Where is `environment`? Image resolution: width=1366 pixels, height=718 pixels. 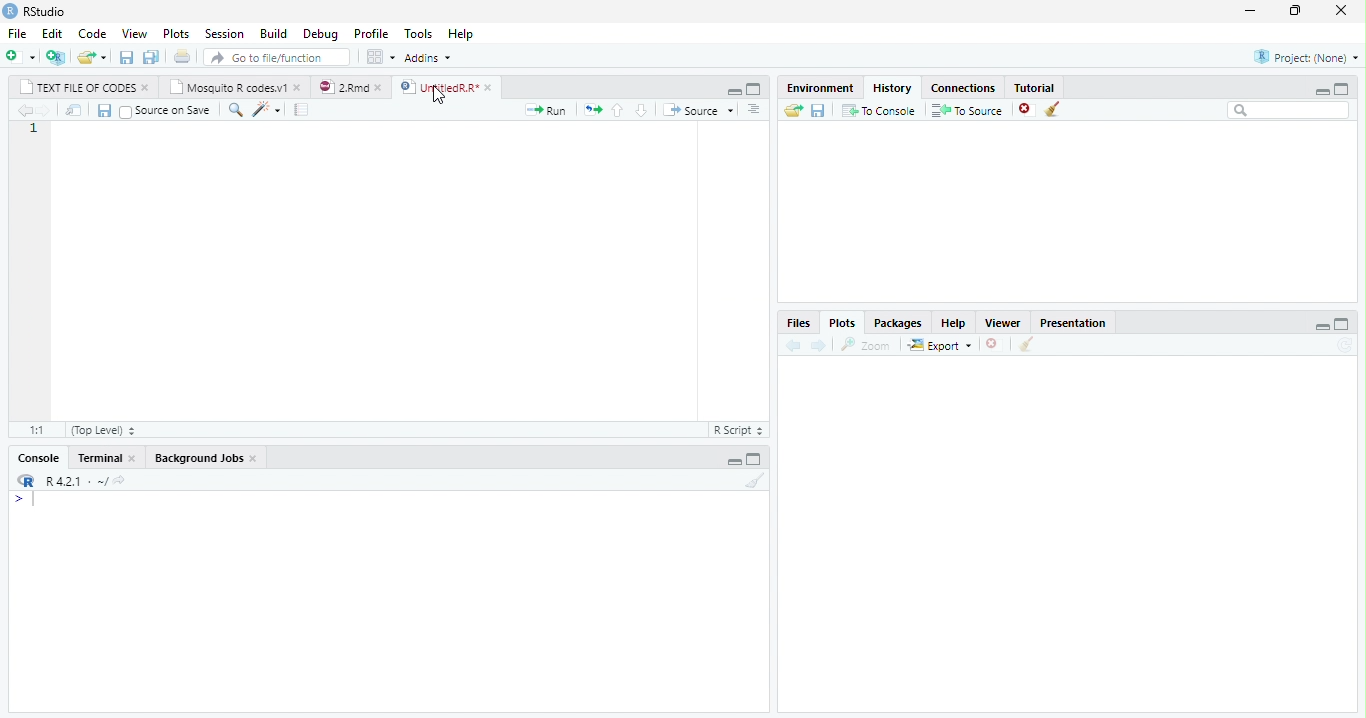 environment is located at coordinates (816, 88).